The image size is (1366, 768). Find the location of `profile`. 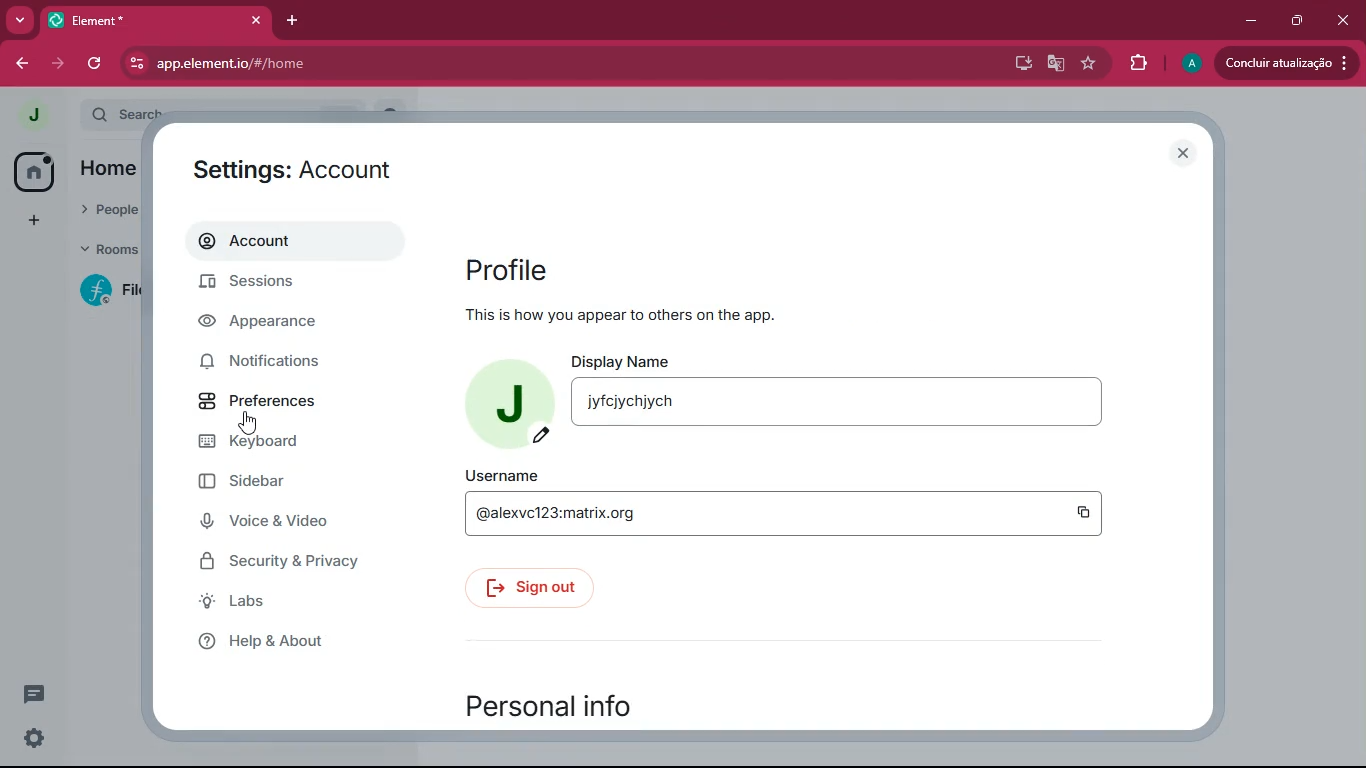

profile is located at coordinates (1191, 64).